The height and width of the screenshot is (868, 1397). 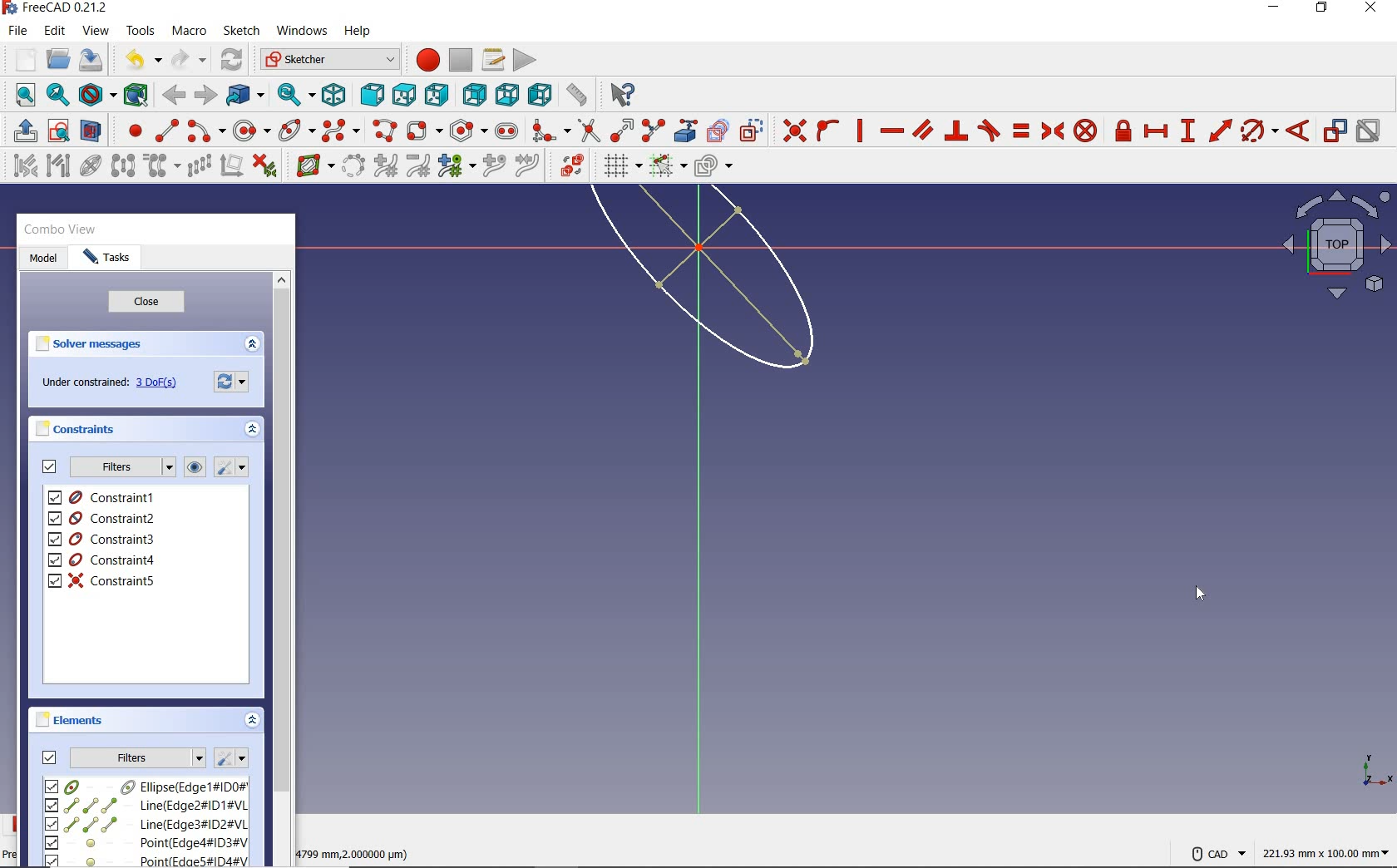 What do you see at coordinates (1187, 131) in the screenshot?
I see `constrain vertical distance` at bounding box center [1187, 131].